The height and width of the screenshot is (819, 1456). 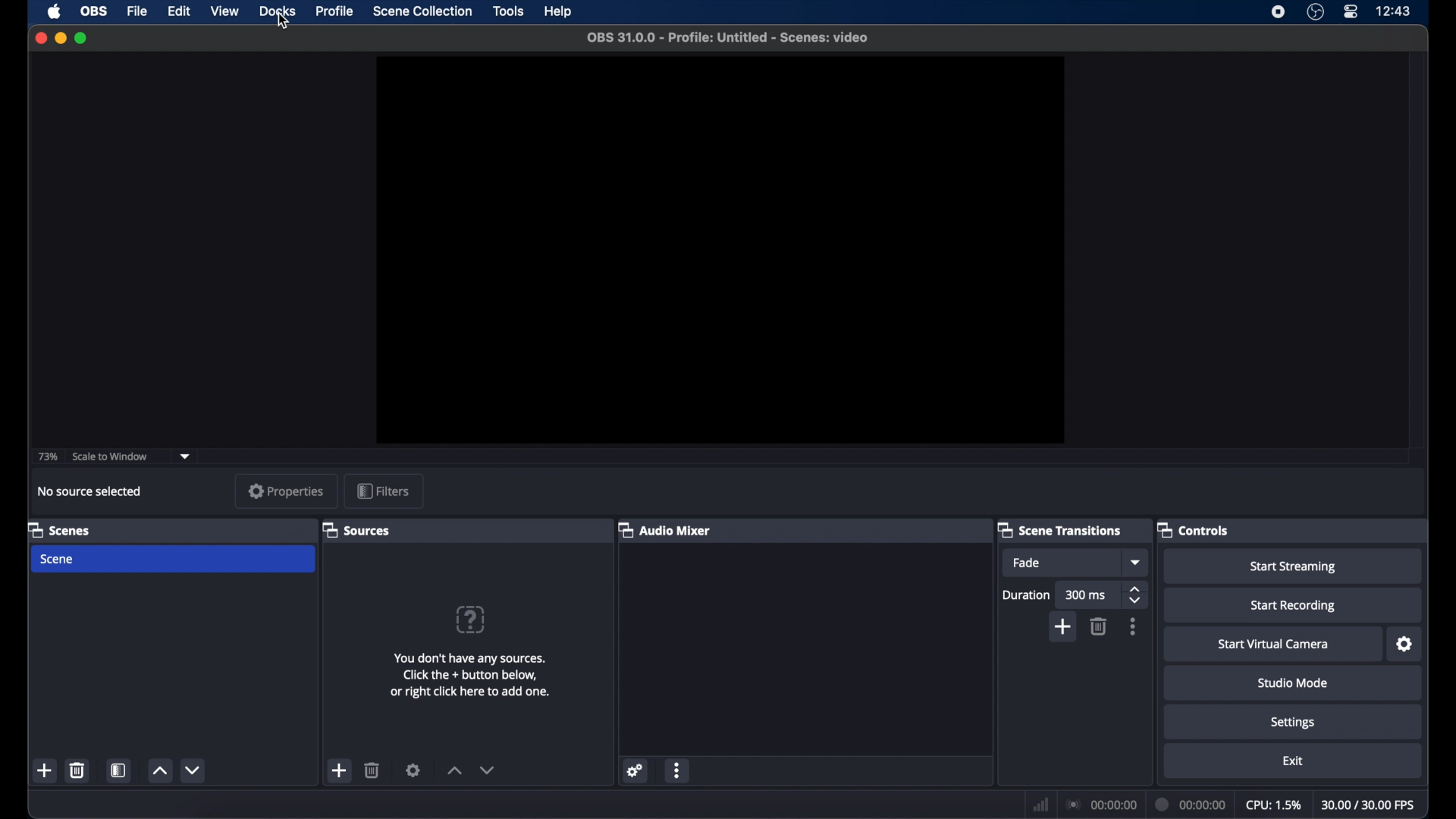 I want to click on settings, so click(x=413, y=770).